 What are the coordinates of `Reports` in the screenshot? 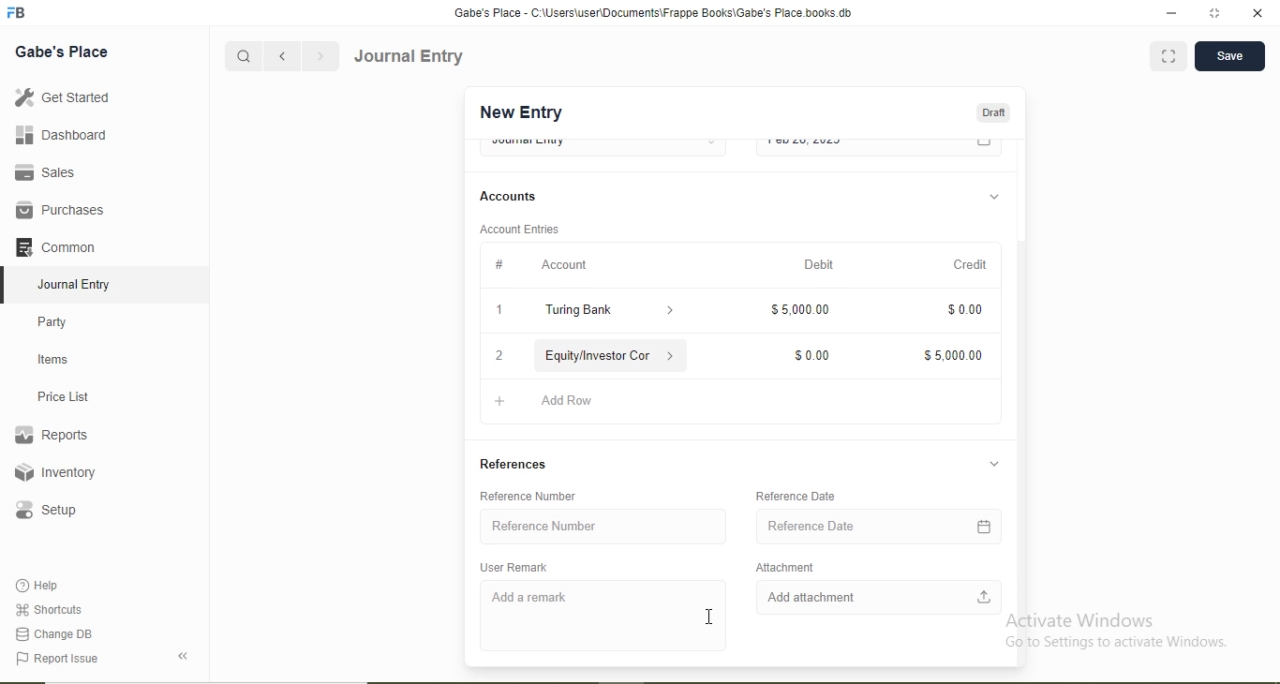 It's located at (51, 435).